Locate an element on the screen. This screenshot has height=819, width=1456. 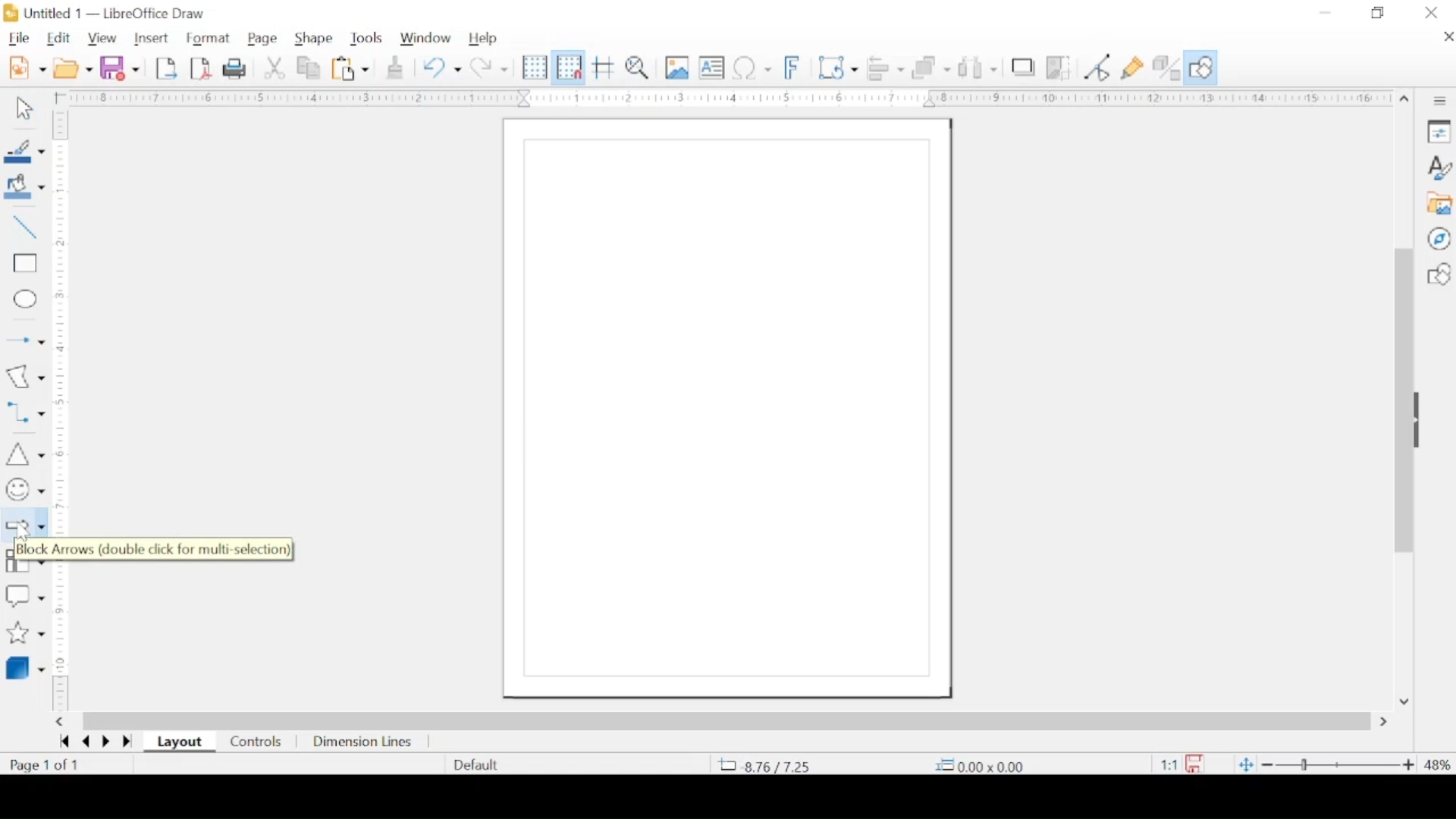
minimize is located at coordinates (1326, 13).